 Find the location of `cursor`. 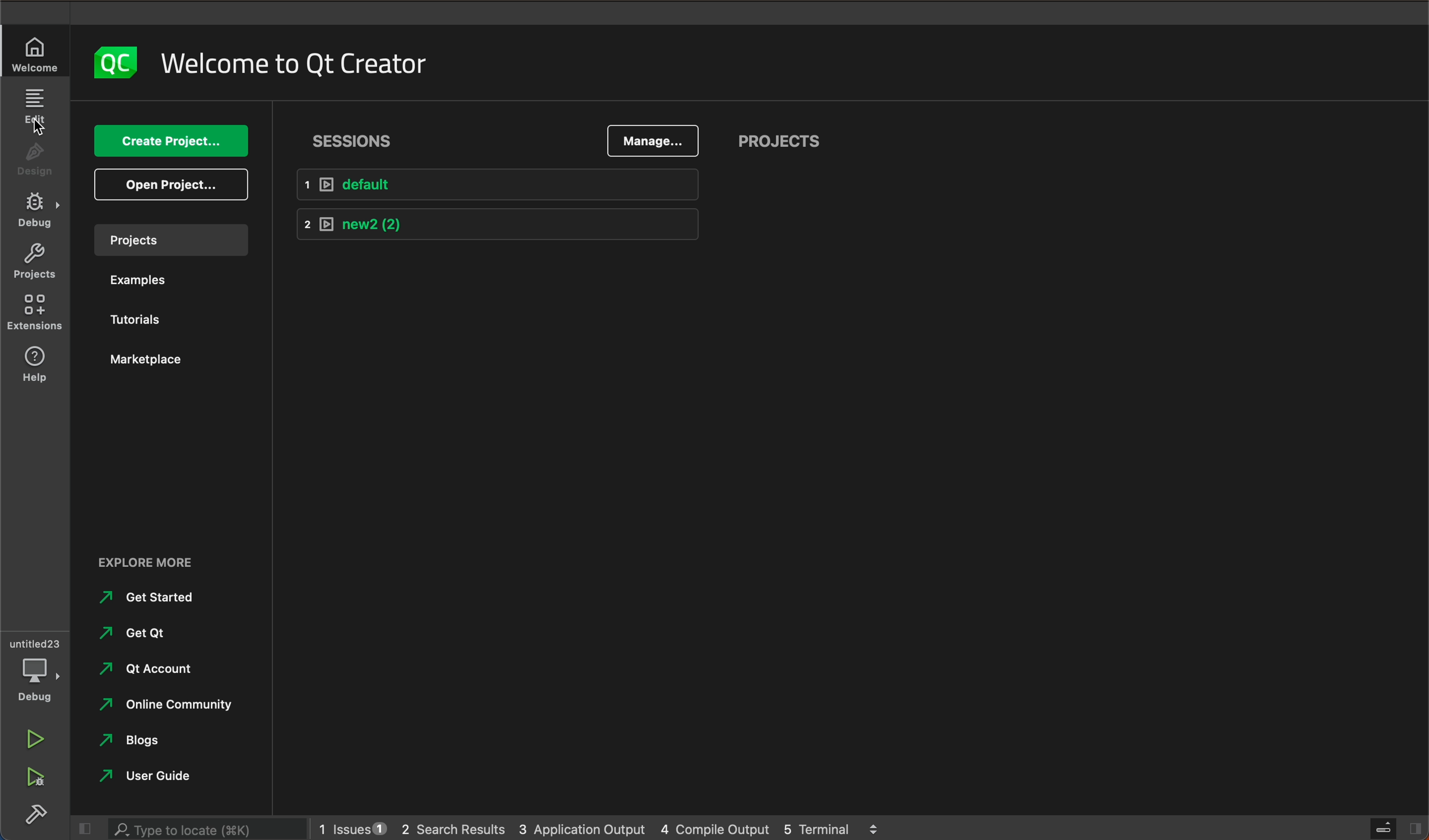

cursor is located at coordinates (37, 126).